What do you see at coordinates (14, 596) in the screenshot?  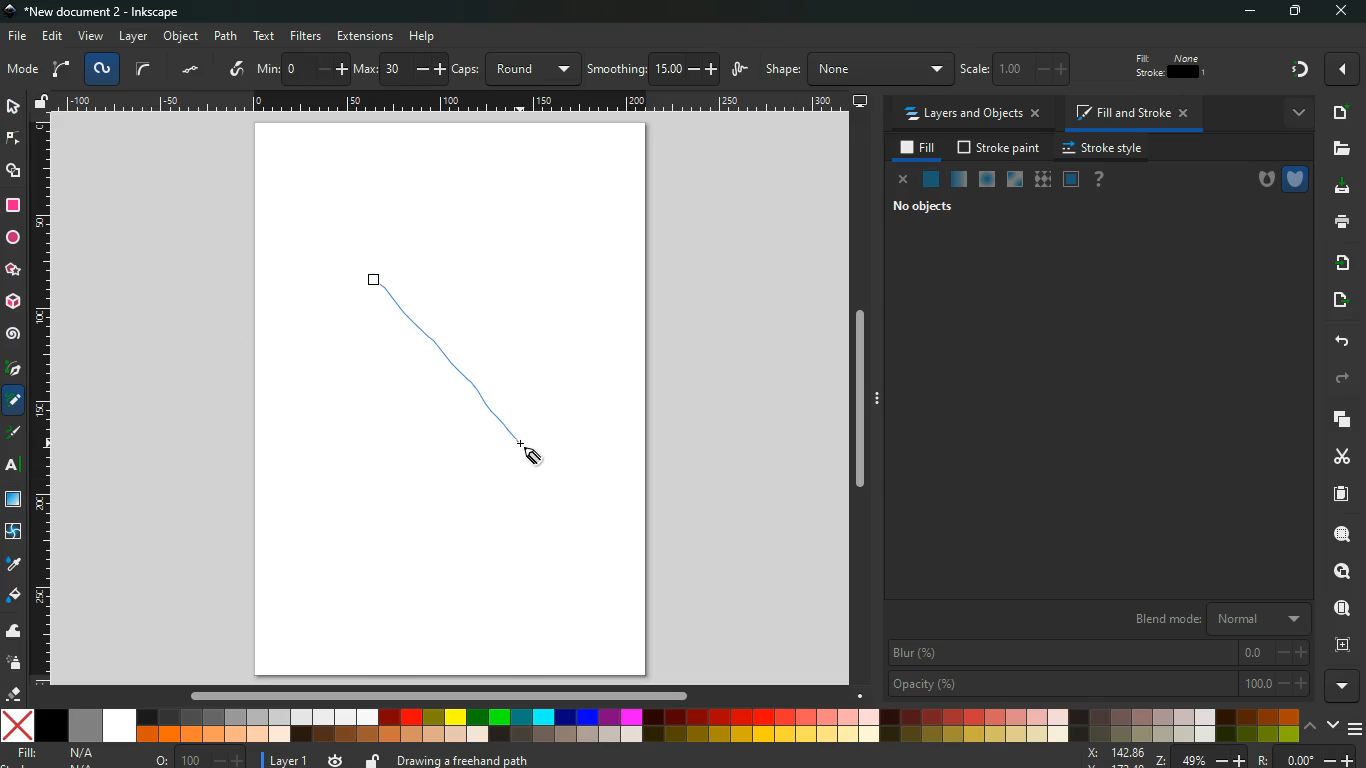 I see `fill` at bounding box center [14, 596].